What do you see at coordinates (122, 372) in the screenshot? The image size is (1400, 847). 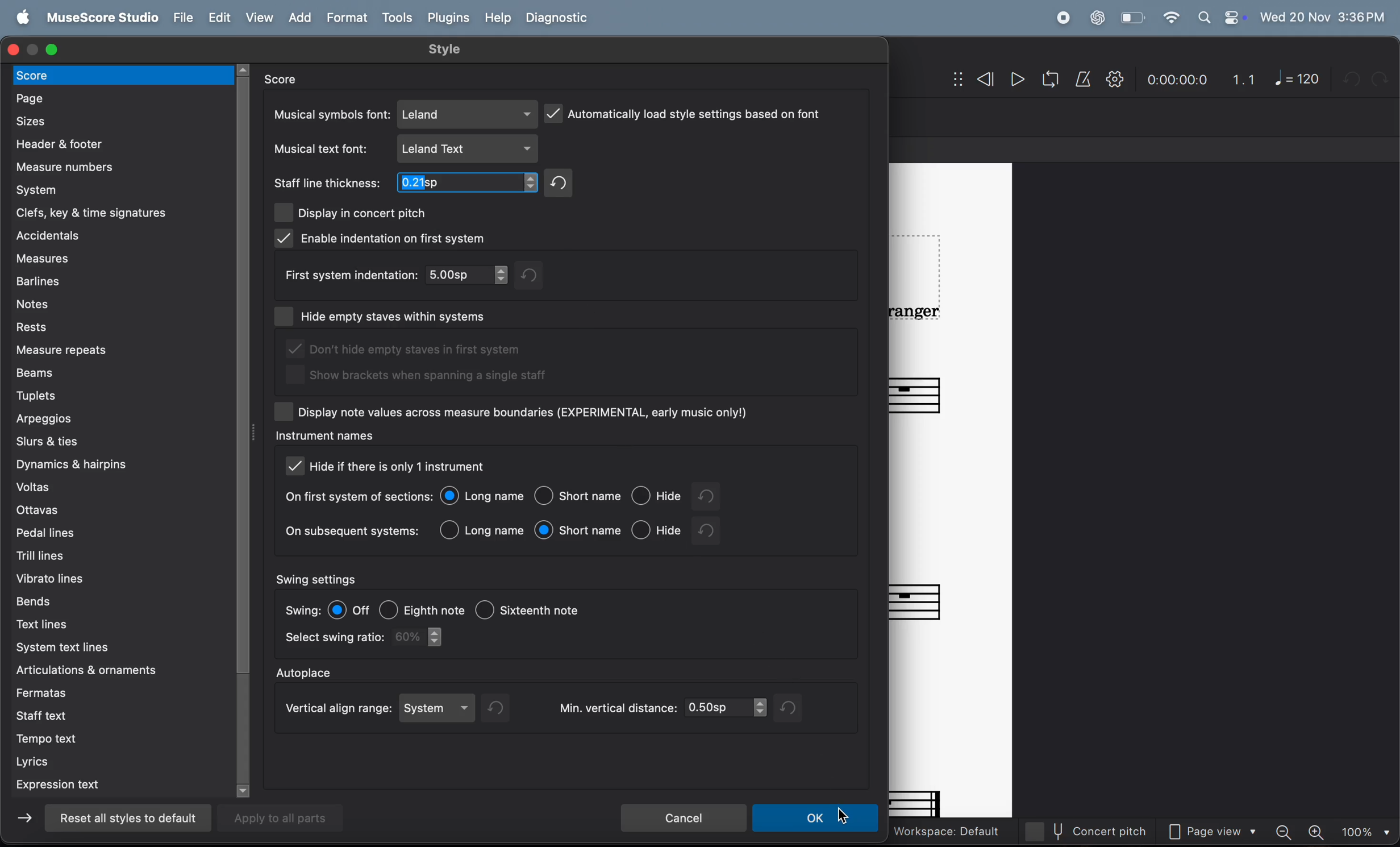 I see `beams` at bounding box center [122, 372].